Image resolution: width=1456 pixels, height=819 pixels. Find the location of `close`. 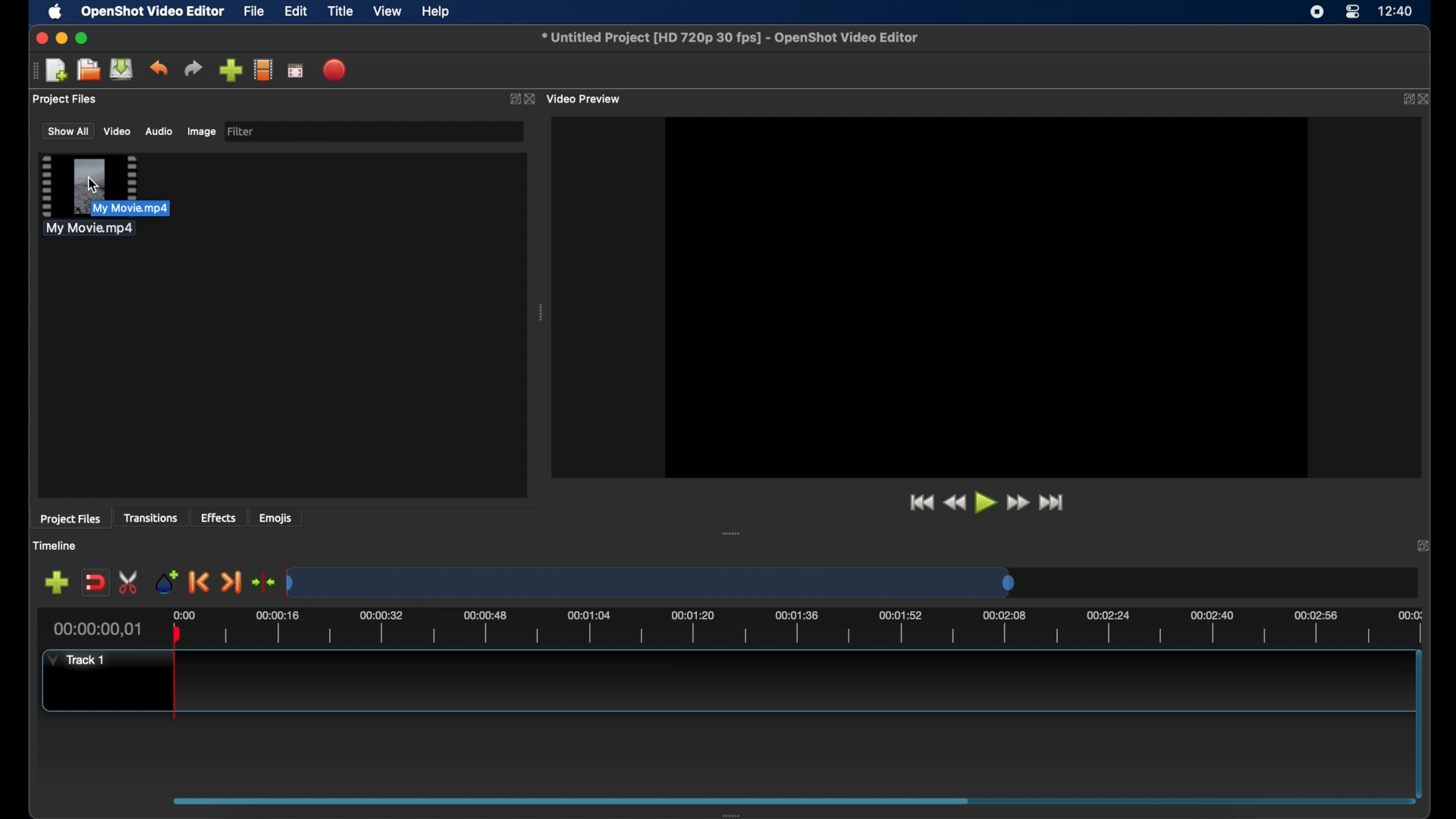

close is located at coordinates (1426, 100).